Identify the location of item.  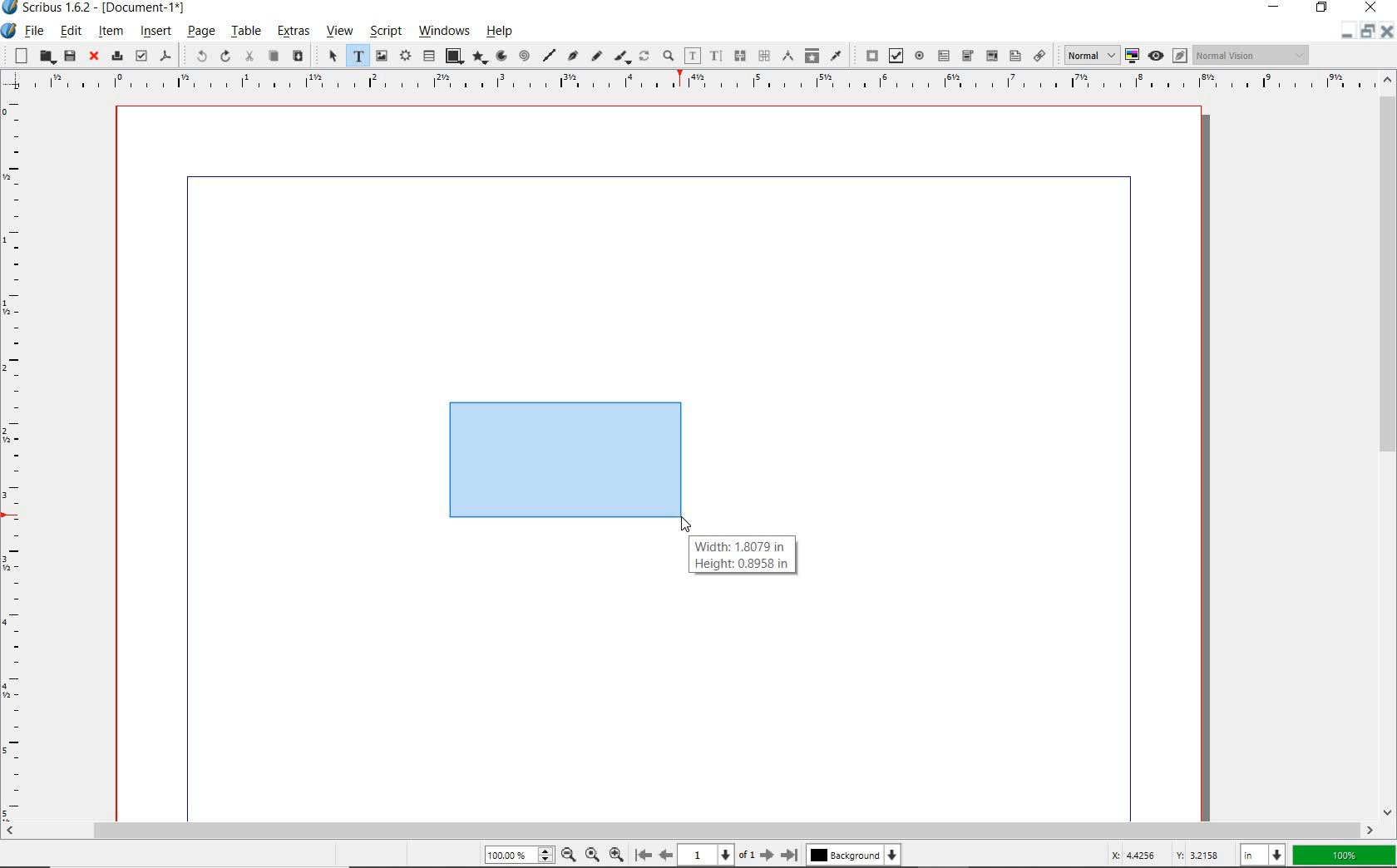
(112, 33).